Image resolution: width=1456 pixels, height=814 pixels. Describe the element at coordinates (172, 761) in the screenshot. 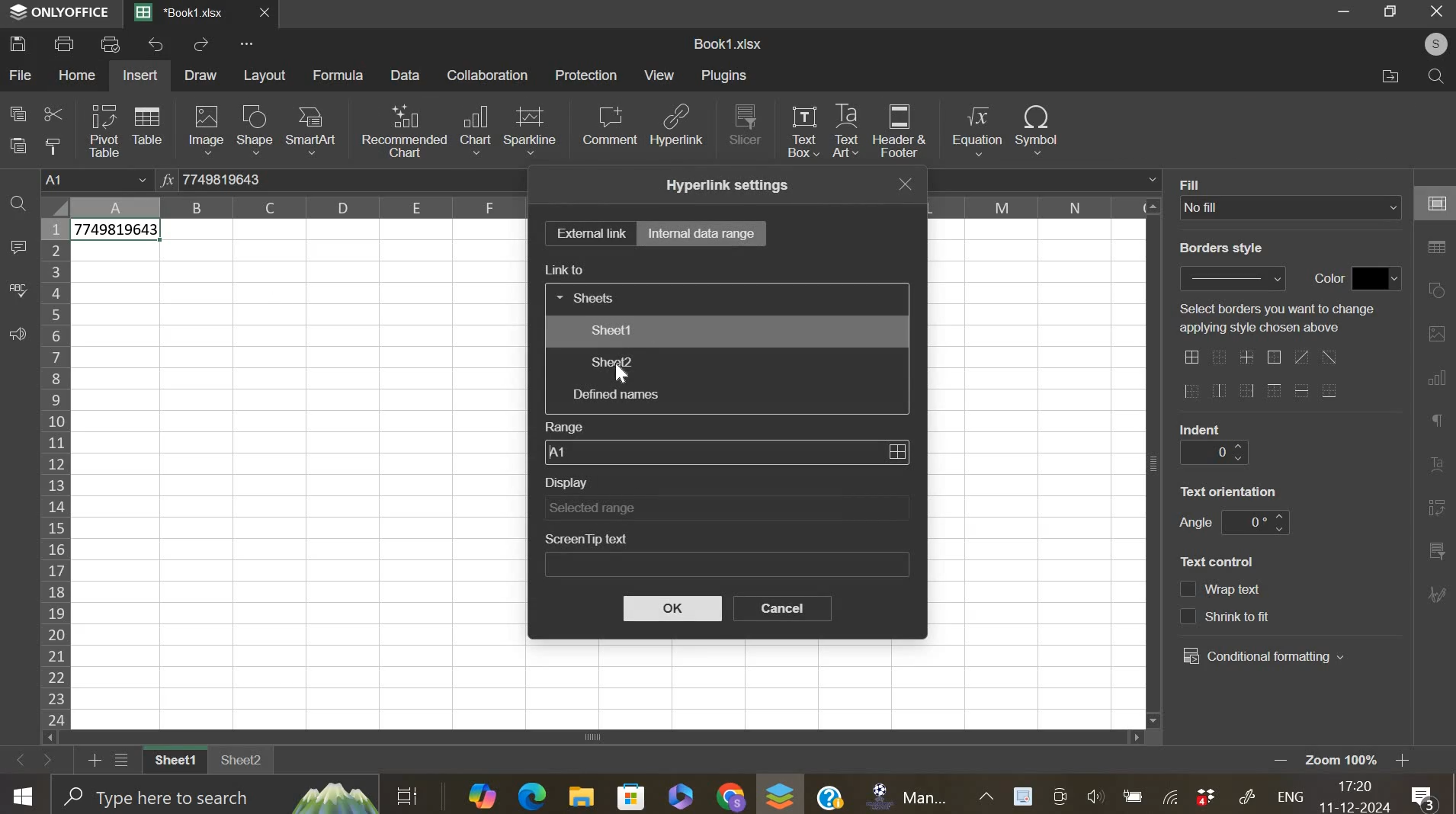

I see `sheet 1` at that location.